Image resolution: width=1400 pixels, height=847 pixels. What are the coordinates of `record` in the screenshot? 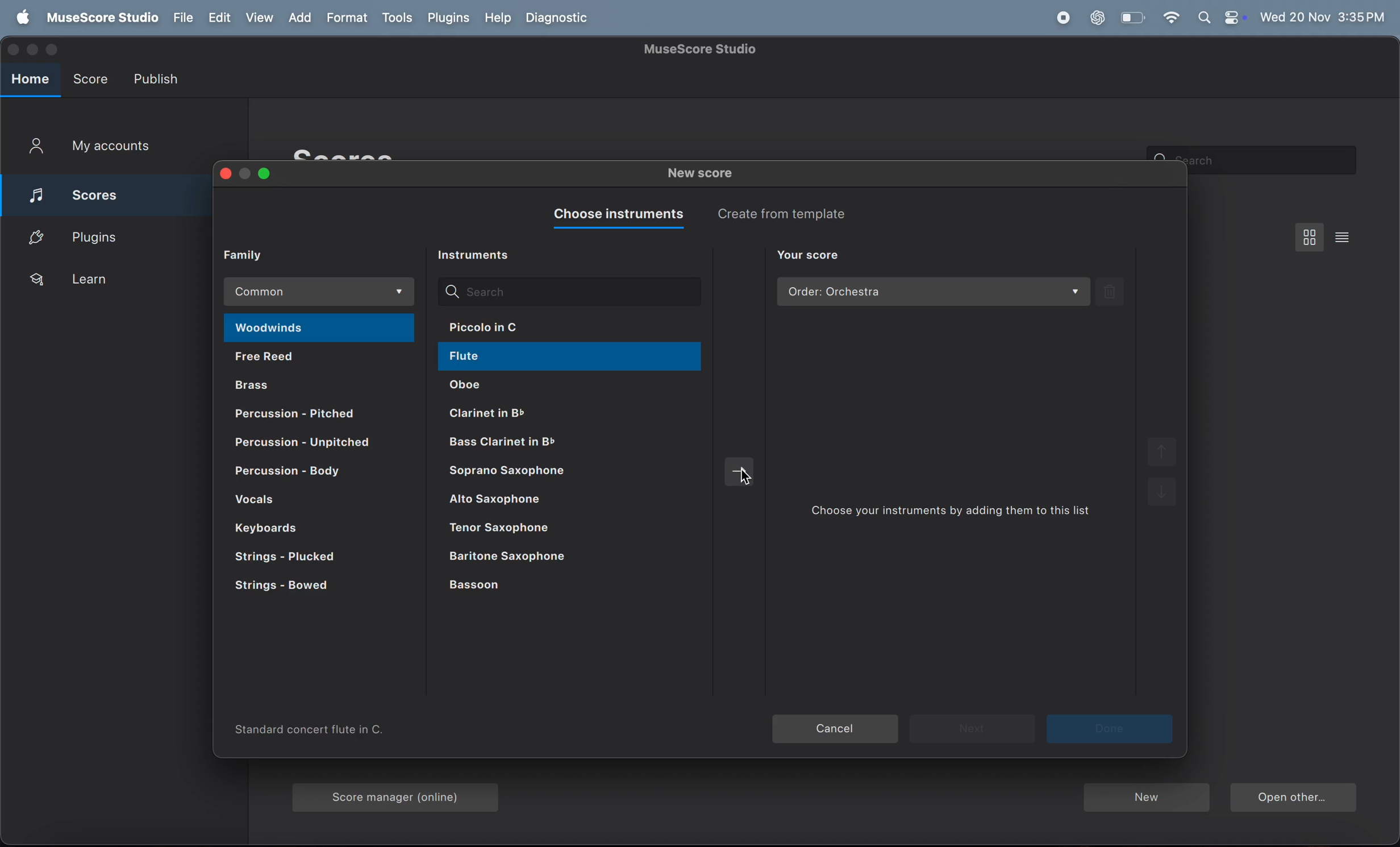 It's located at (1062, 18).